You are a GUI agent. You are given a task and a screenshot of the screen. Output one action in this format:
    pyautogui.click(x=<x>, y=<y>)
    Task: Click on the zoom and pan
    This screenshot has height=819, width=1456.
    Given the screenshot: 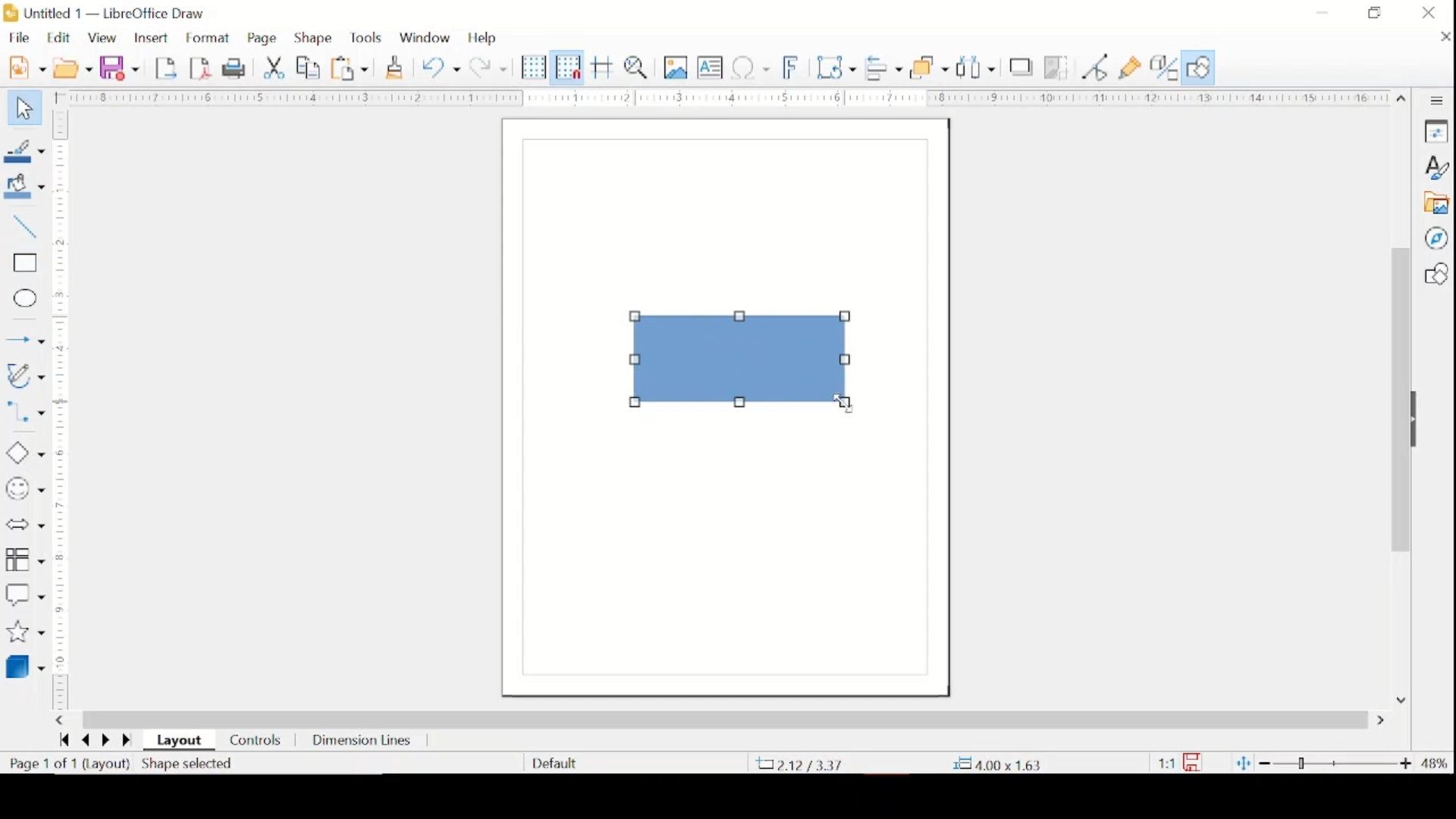 What is the action you would take?
    pyautogui.click(x=639, y=67)
    